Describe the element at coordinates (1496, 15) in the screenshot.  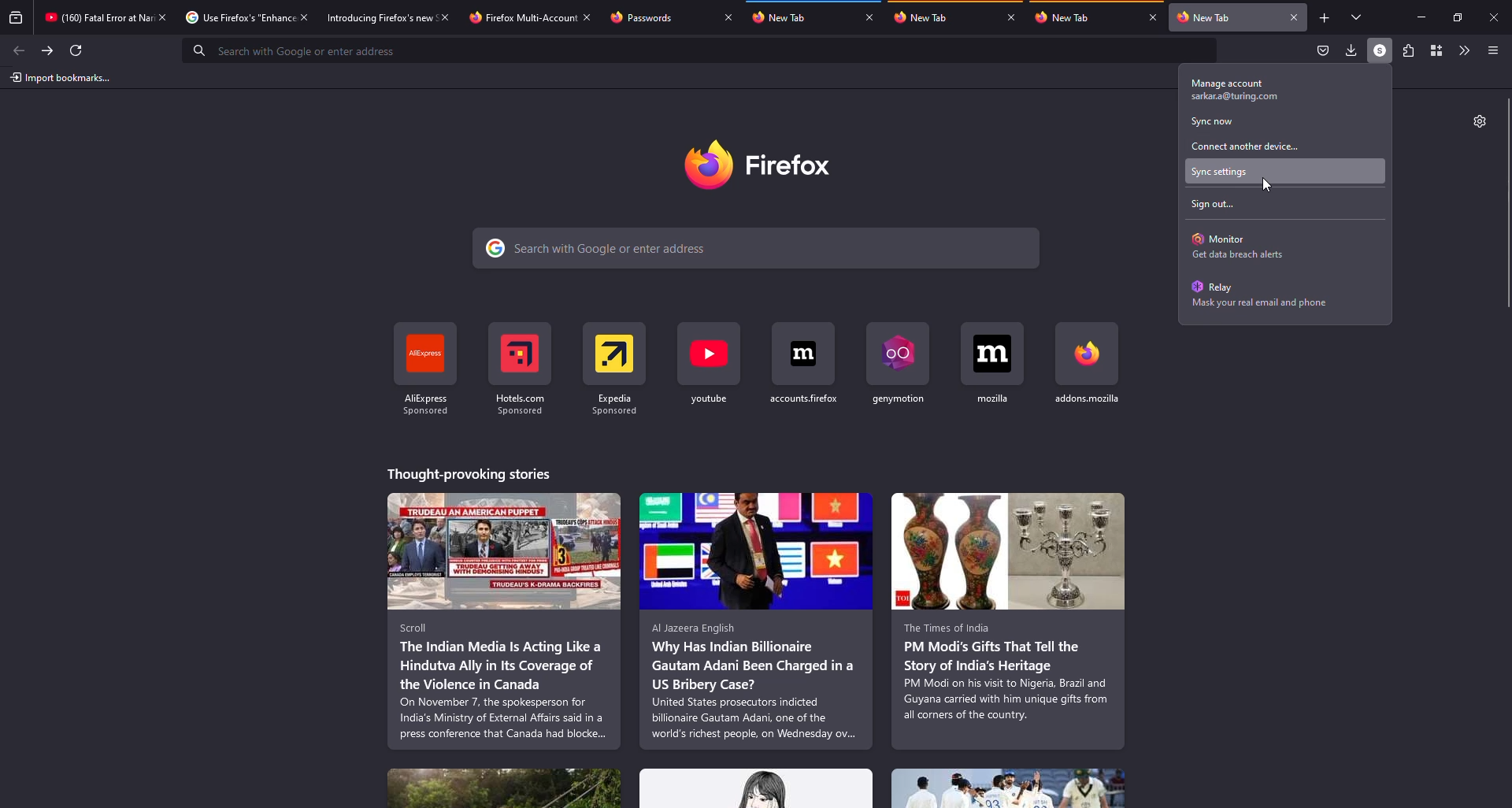
I see `close` at that location.